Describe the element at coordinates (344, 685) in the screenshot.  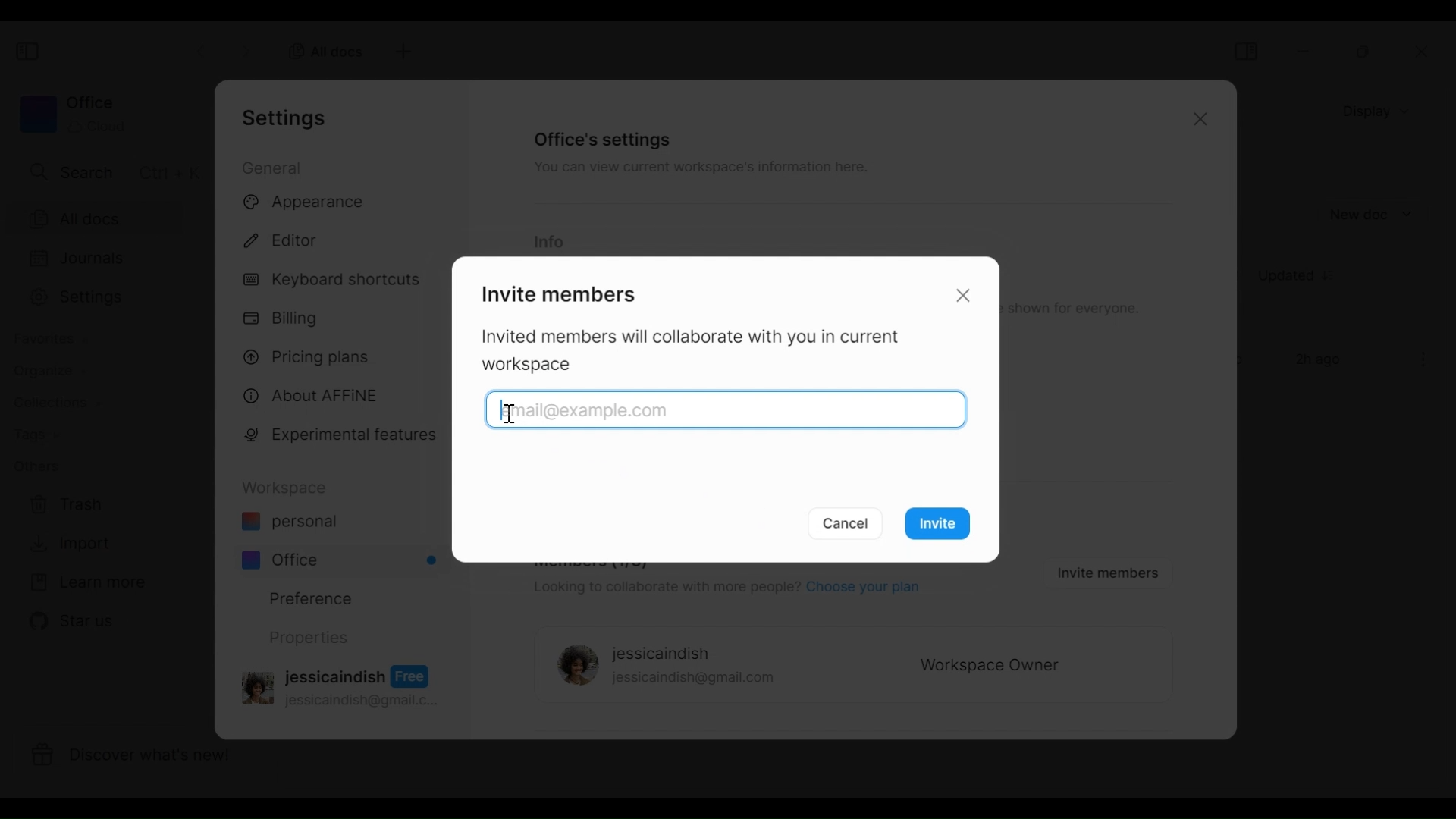
I see `Account` at that location.